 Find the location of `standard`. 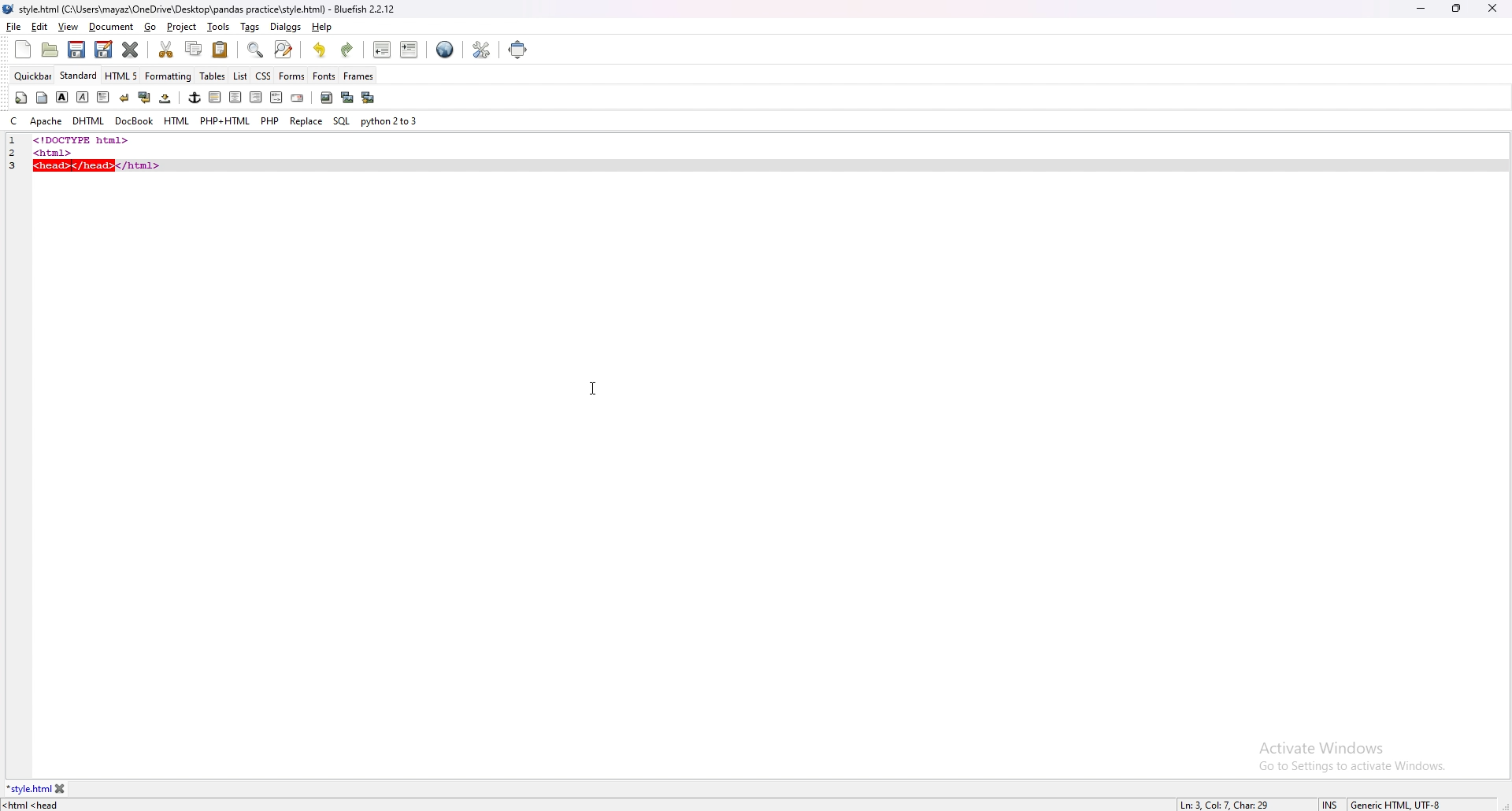

standard is located at coordinates (80, 76).